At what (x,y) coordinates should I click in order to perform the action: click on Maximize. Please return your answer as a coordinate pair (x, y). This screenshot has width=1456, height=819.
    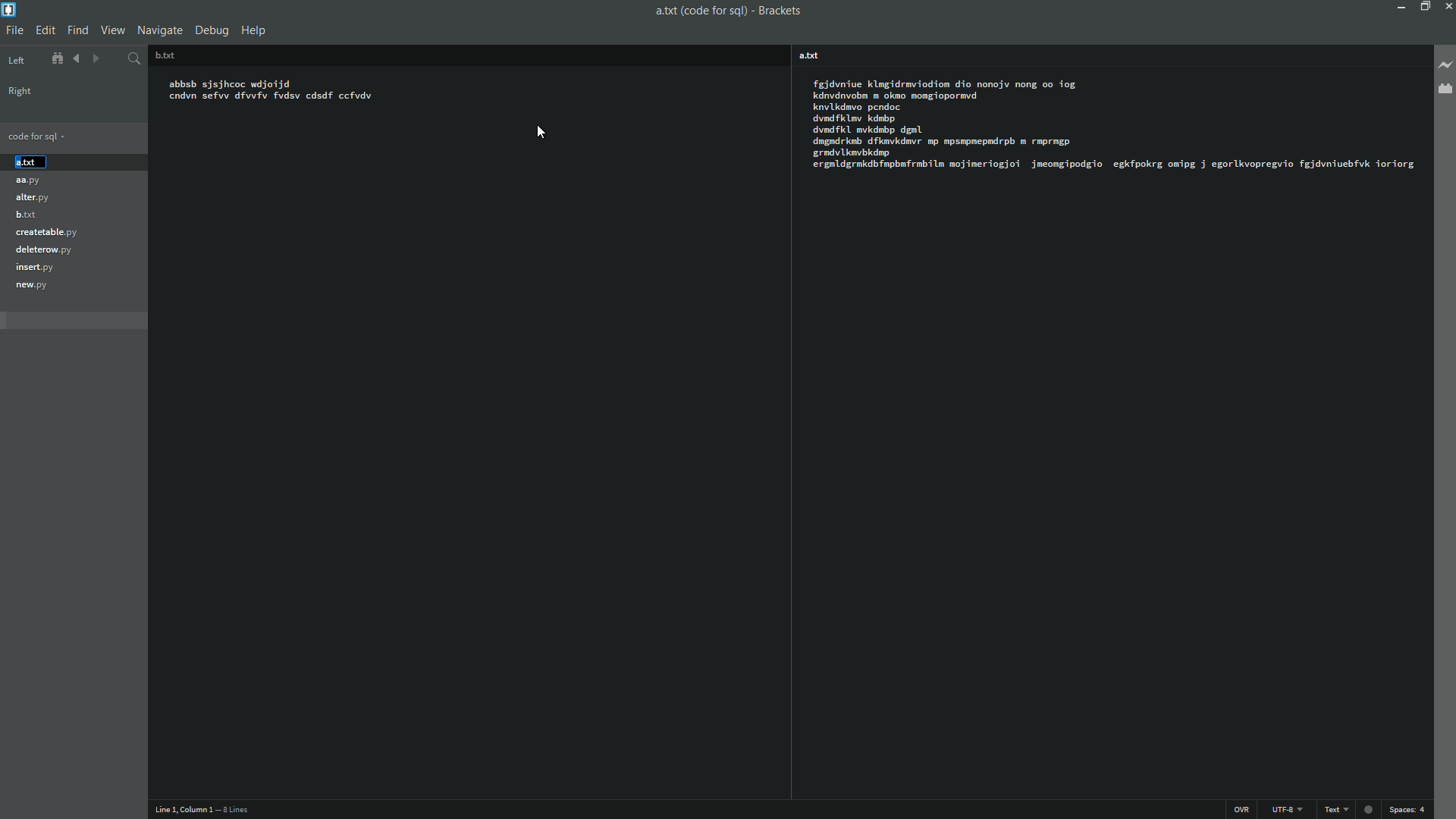
    Looking at the image, I should click on (1423, 6).